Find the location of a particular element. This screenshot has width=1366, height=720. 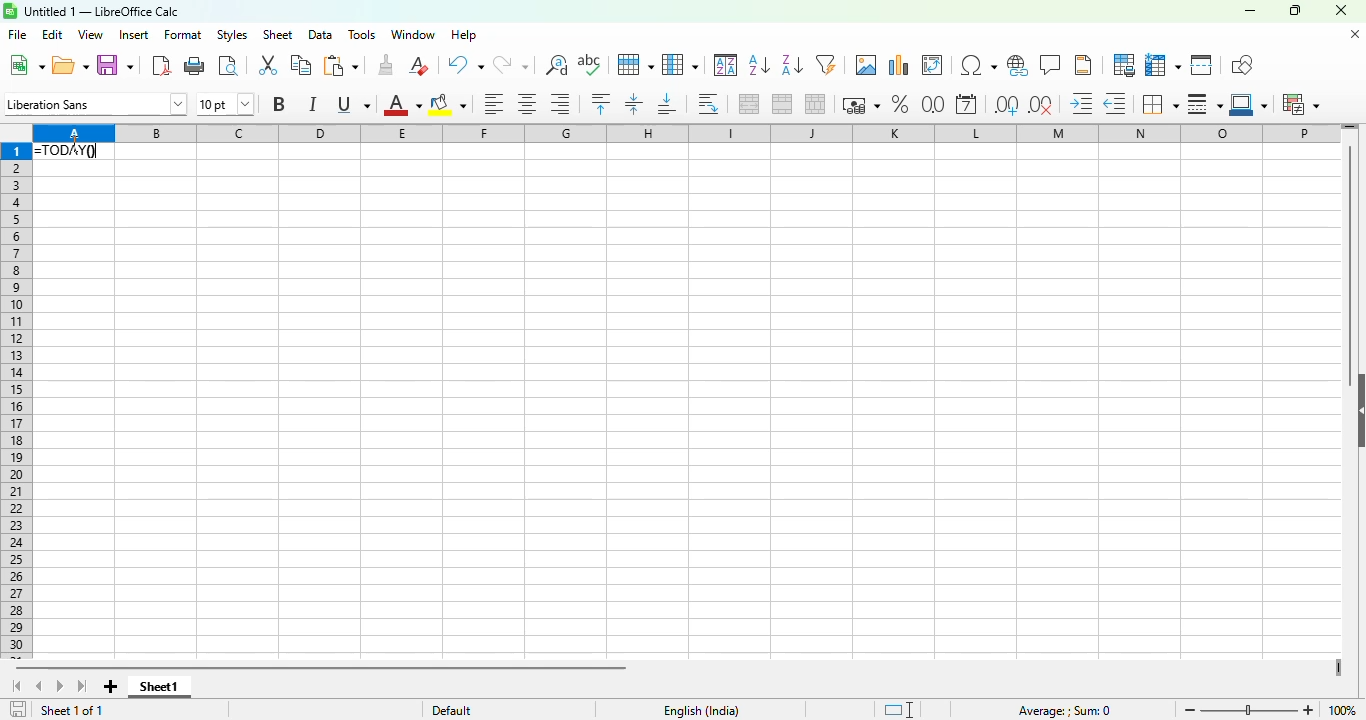

open is located at coordinates (71, 65).